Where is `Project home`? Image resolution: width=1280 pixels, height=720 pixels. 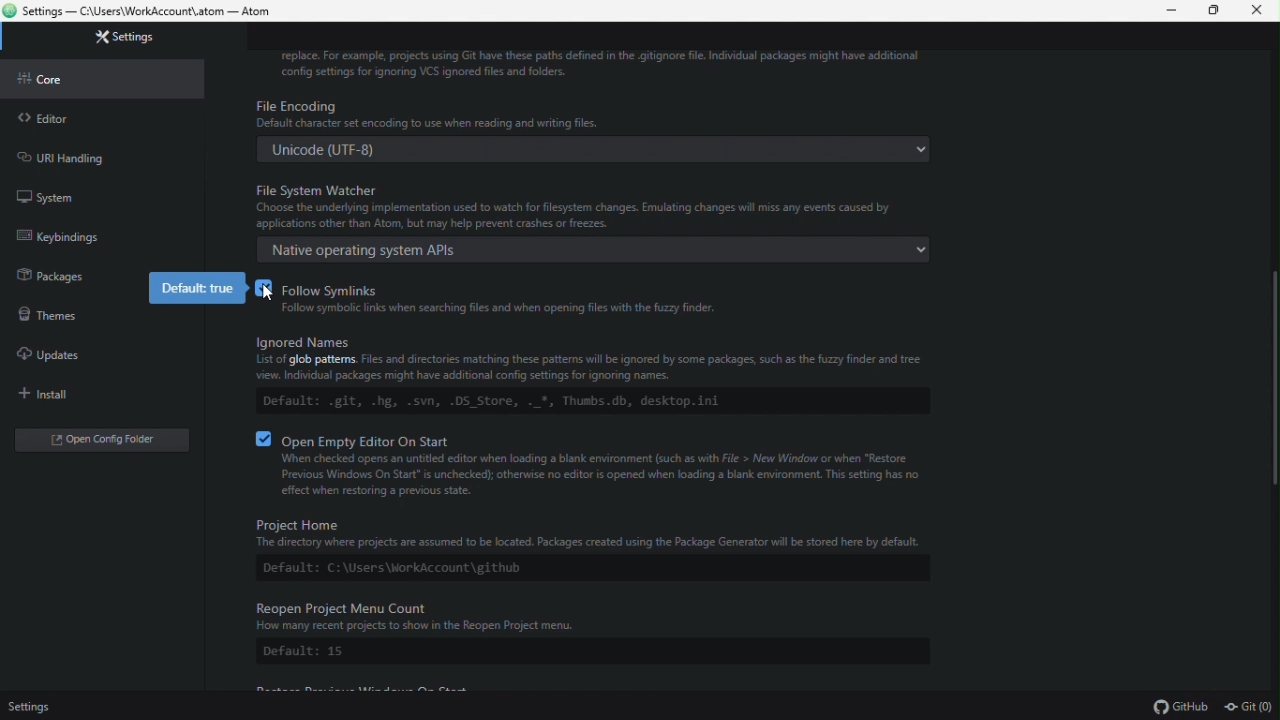
Project home is located at coordinates (588, 549).